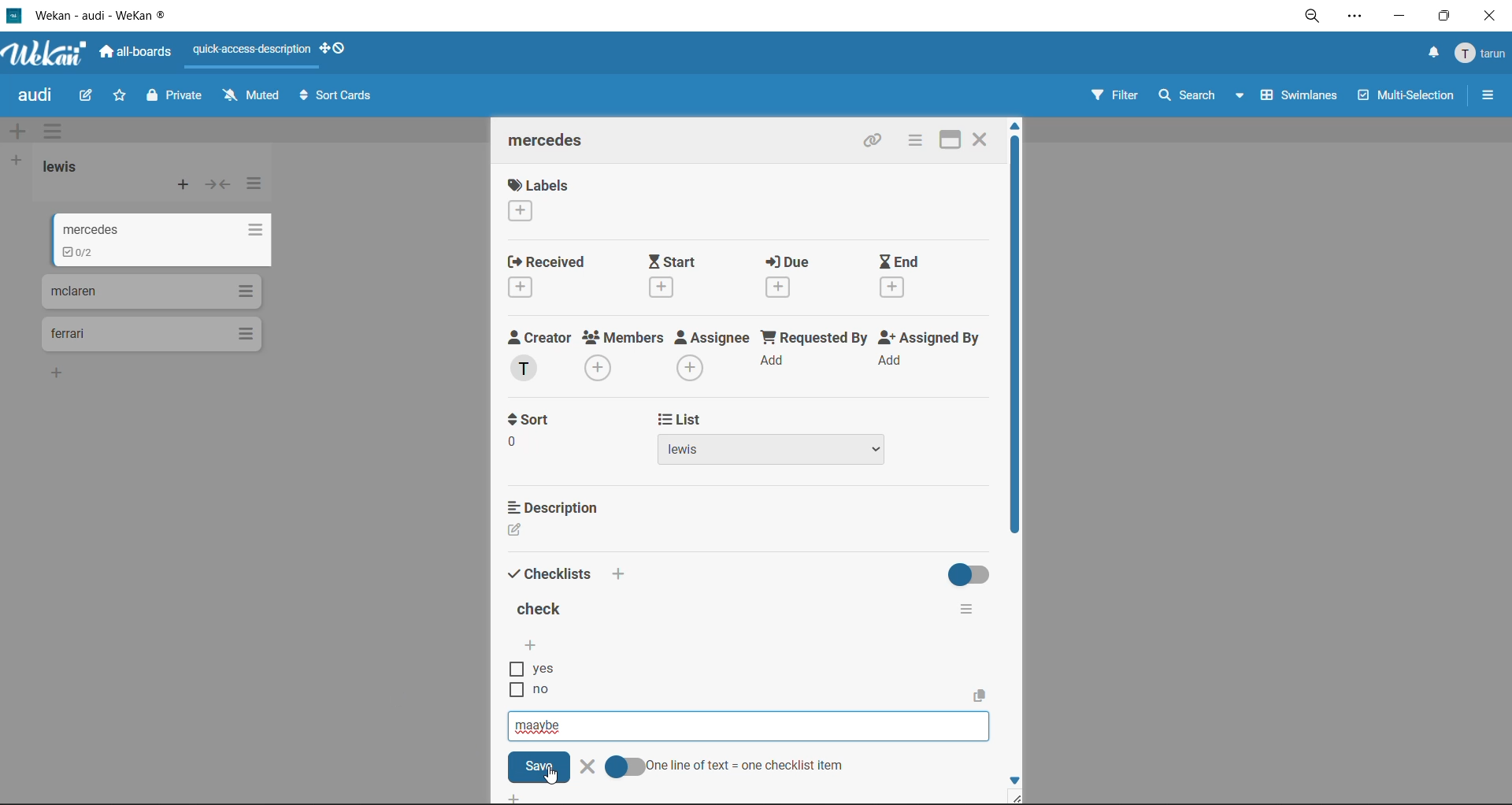 The width and height of the screenshot is (1512, 805). Describe the element at coordinates (555, 691) in the screenshot. I see `no` at that location.